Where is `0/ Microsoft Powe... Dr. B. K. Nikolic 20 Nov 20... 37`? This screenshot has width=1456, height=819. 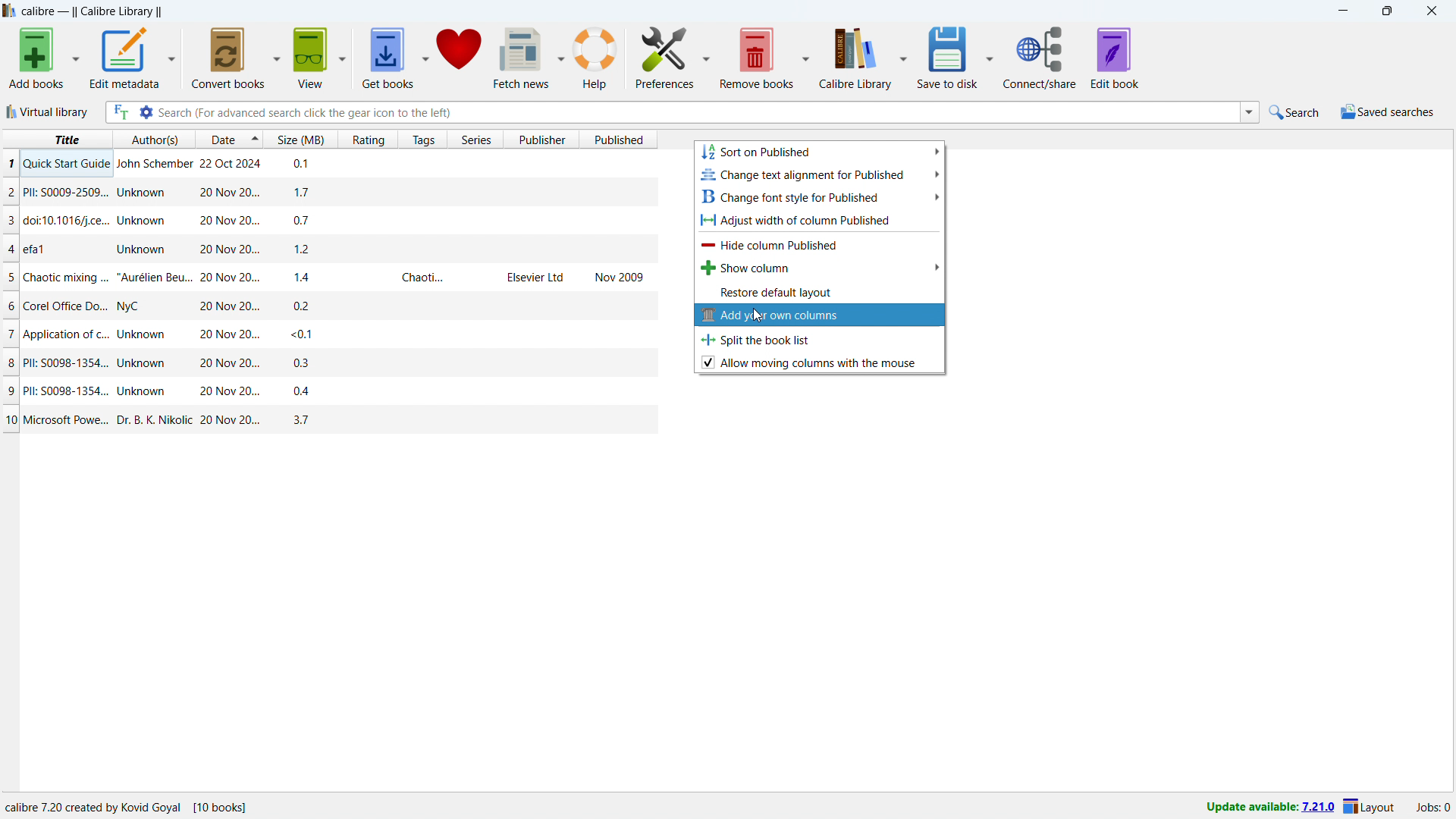 0/ Microsoft Powe... Dr. B. K. Nikolic 20 Nov 20... 37 is located at coordinates (328, 421).